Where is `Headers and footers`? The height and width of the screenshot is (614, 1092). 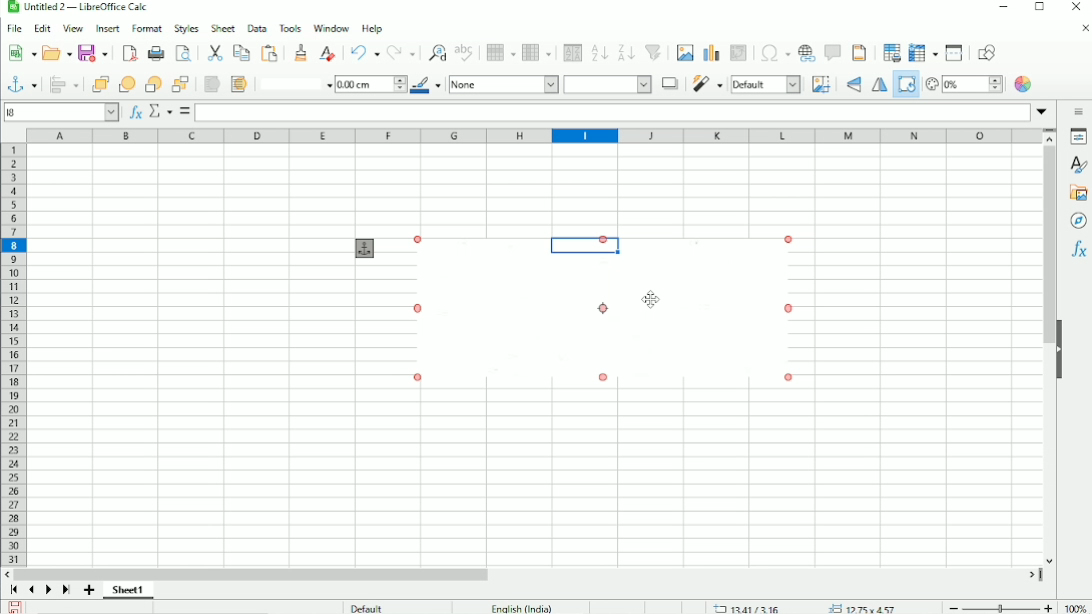 Headers and footers is located at coordinates (860, 52).